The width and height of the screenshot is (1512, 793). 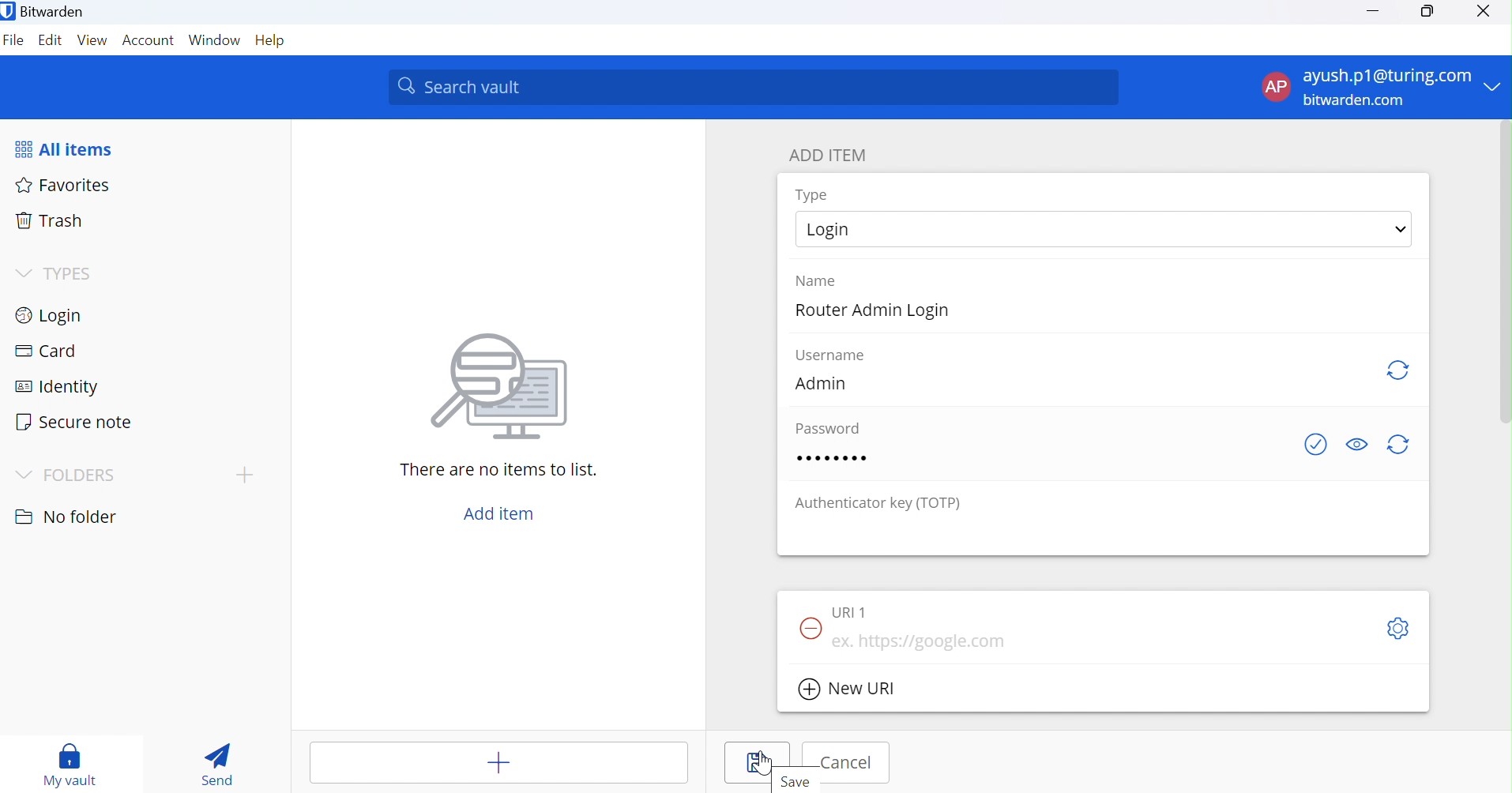 What do you see at coordinates (832, 457) in the screenshot?
I see `Password` at bounding box center [832, 457].